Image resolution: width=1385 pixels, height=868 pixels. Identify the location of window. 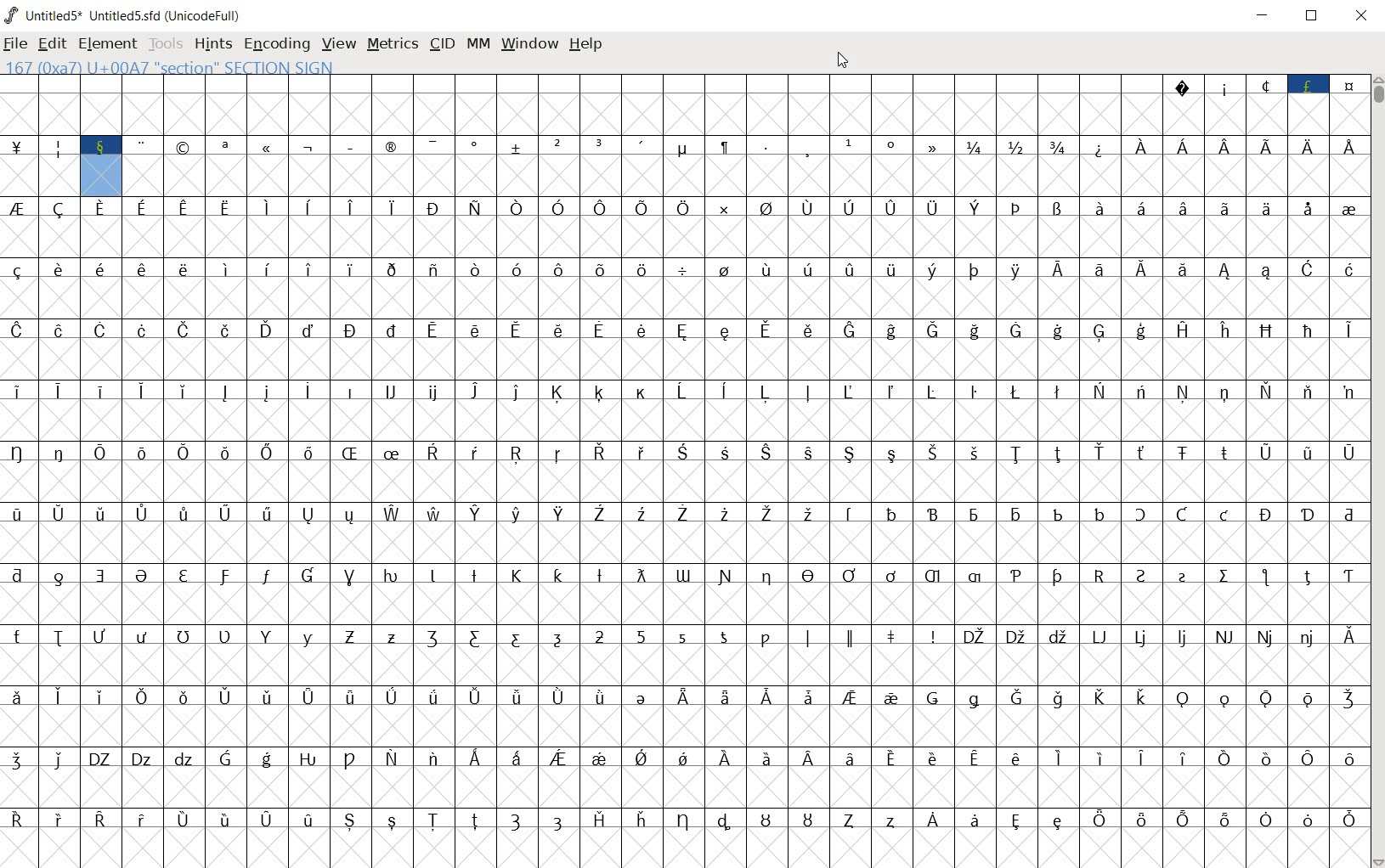
(529, 45).